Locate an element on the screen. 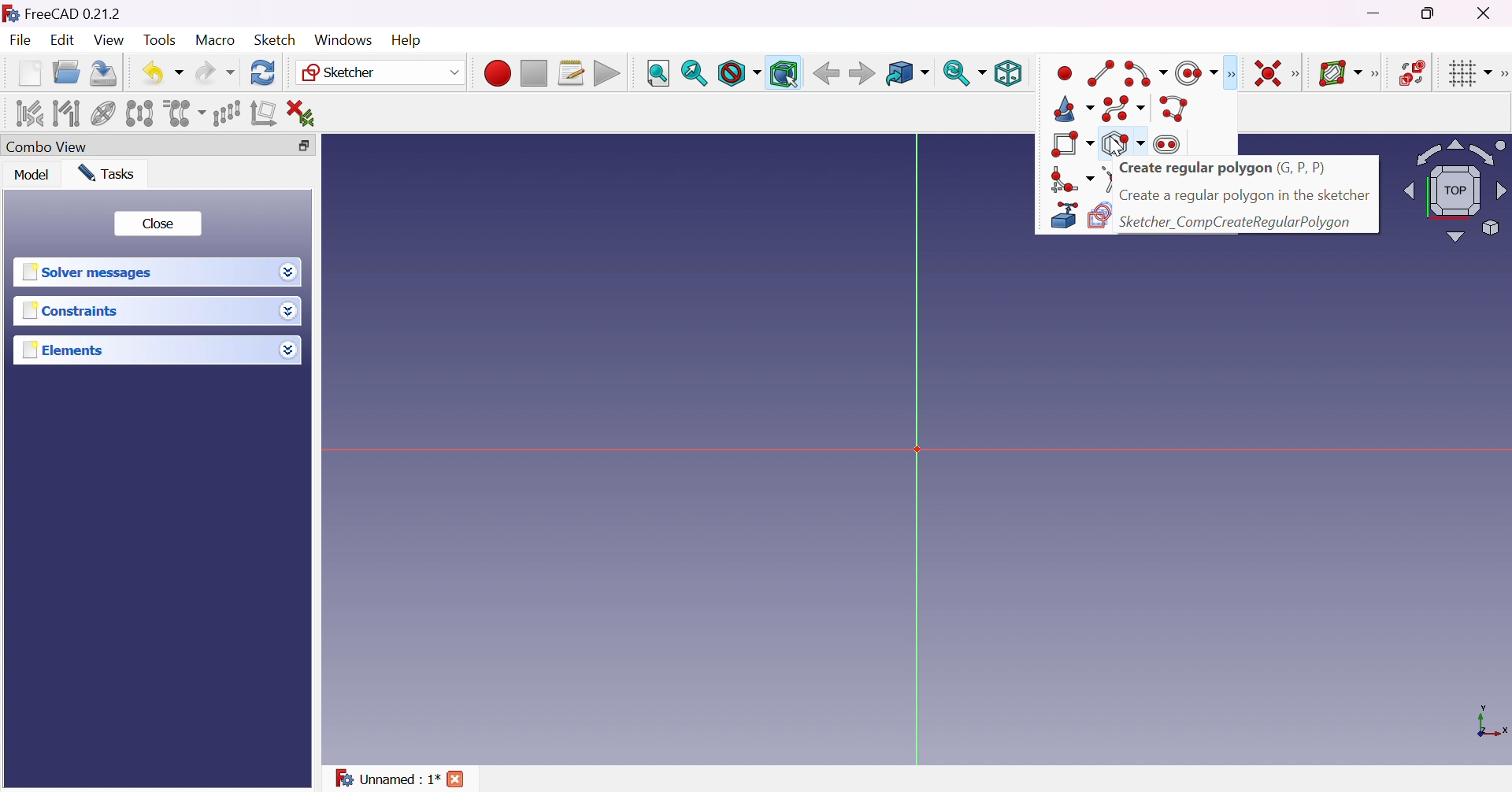 This screenshot has height=792, width=1512. Show/hide B-spline information layer is located at coordinates (1339, 73).